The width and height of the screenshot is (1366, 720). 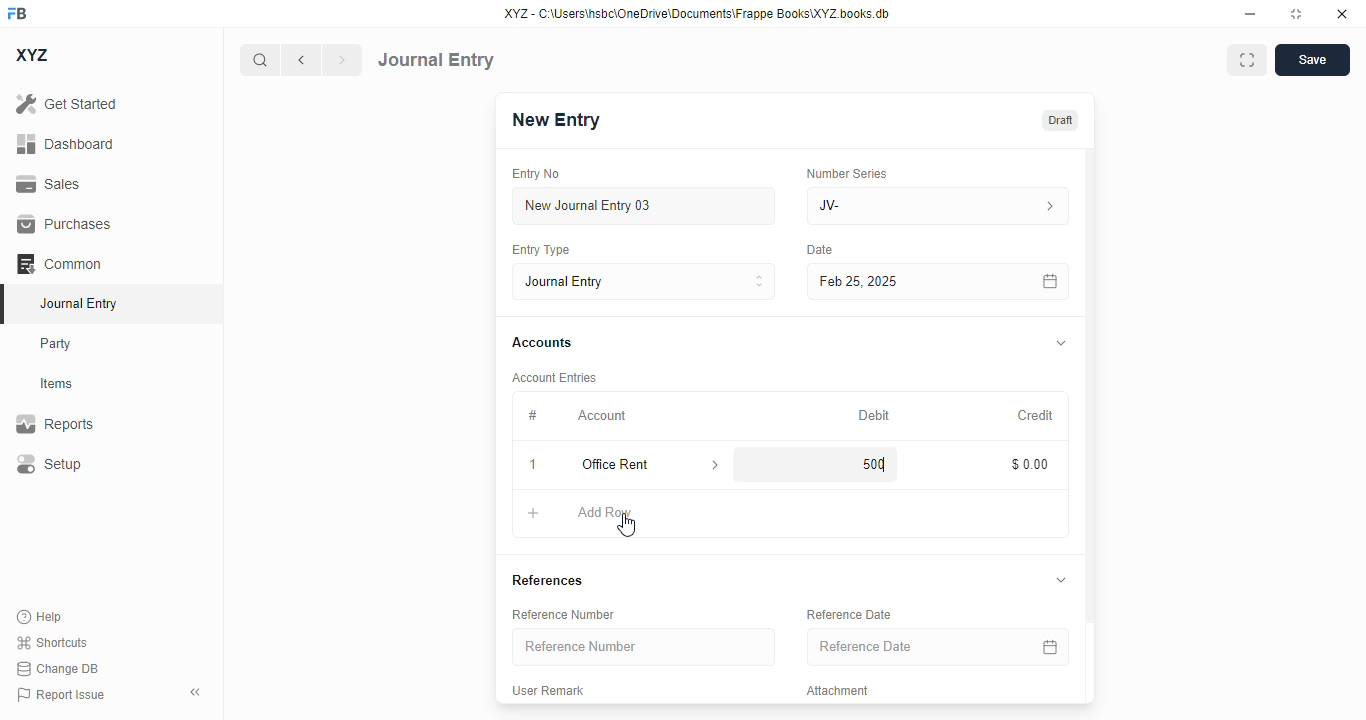 I want to click on account, so click(x=602, y=416).